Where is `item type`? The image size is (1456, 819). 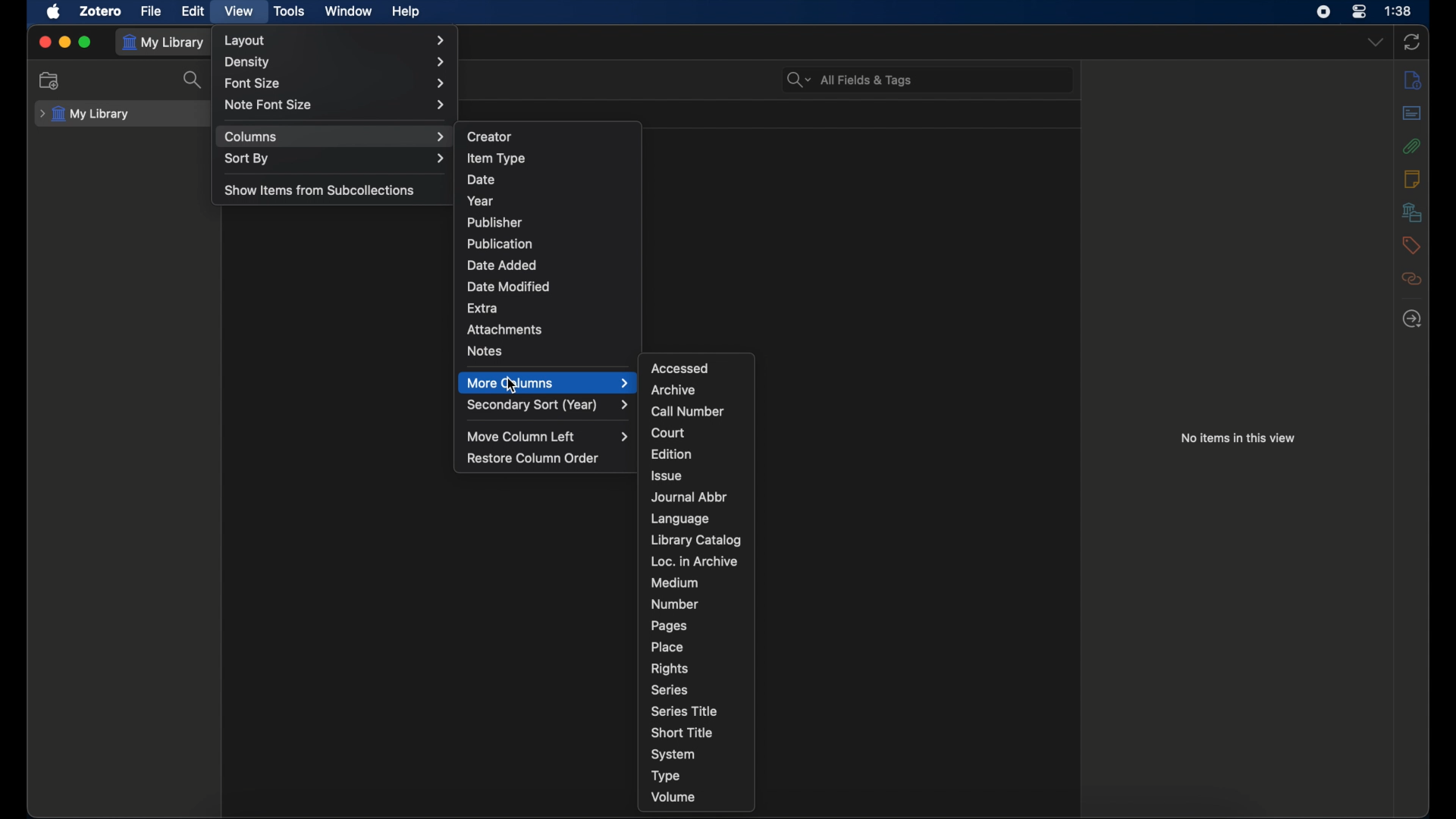
item type is located at coordinates (496, 158).